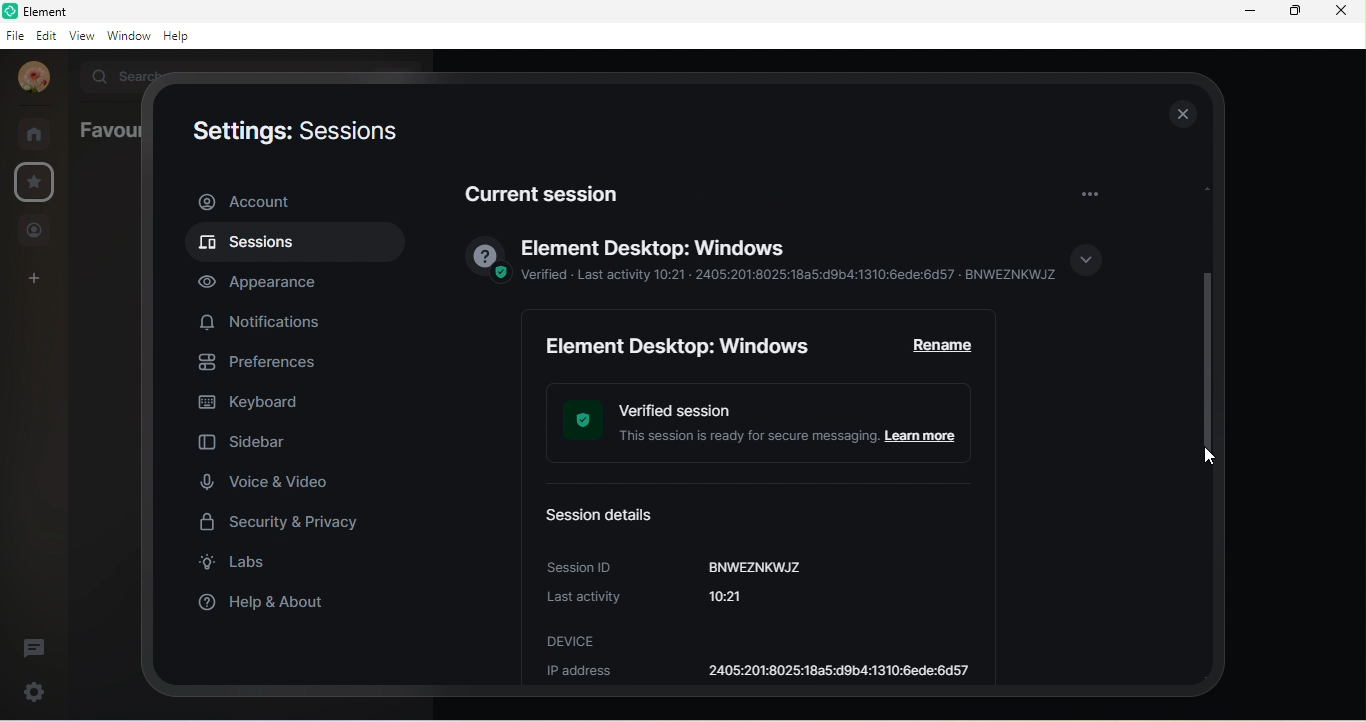 This screenshot has height=722, width=1366. I want to click on verified-last activity 10.21 2405:201:8025:18a5:d8b4:1310:6ede:6d57 bnweznkwjz, so click(791, 276).